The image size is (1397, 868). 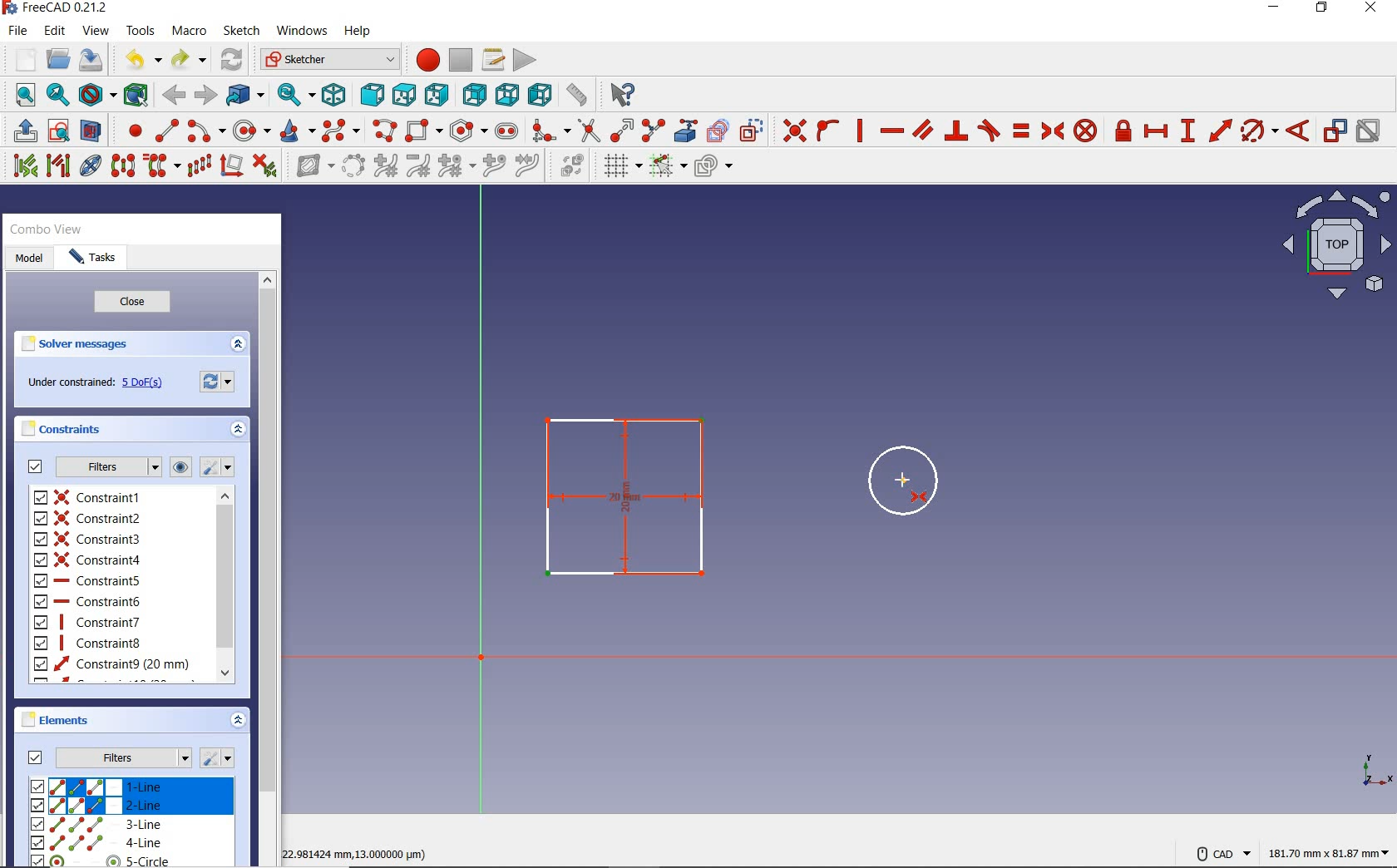 I want to click on constrain parallel, so click(x=923, y=129).